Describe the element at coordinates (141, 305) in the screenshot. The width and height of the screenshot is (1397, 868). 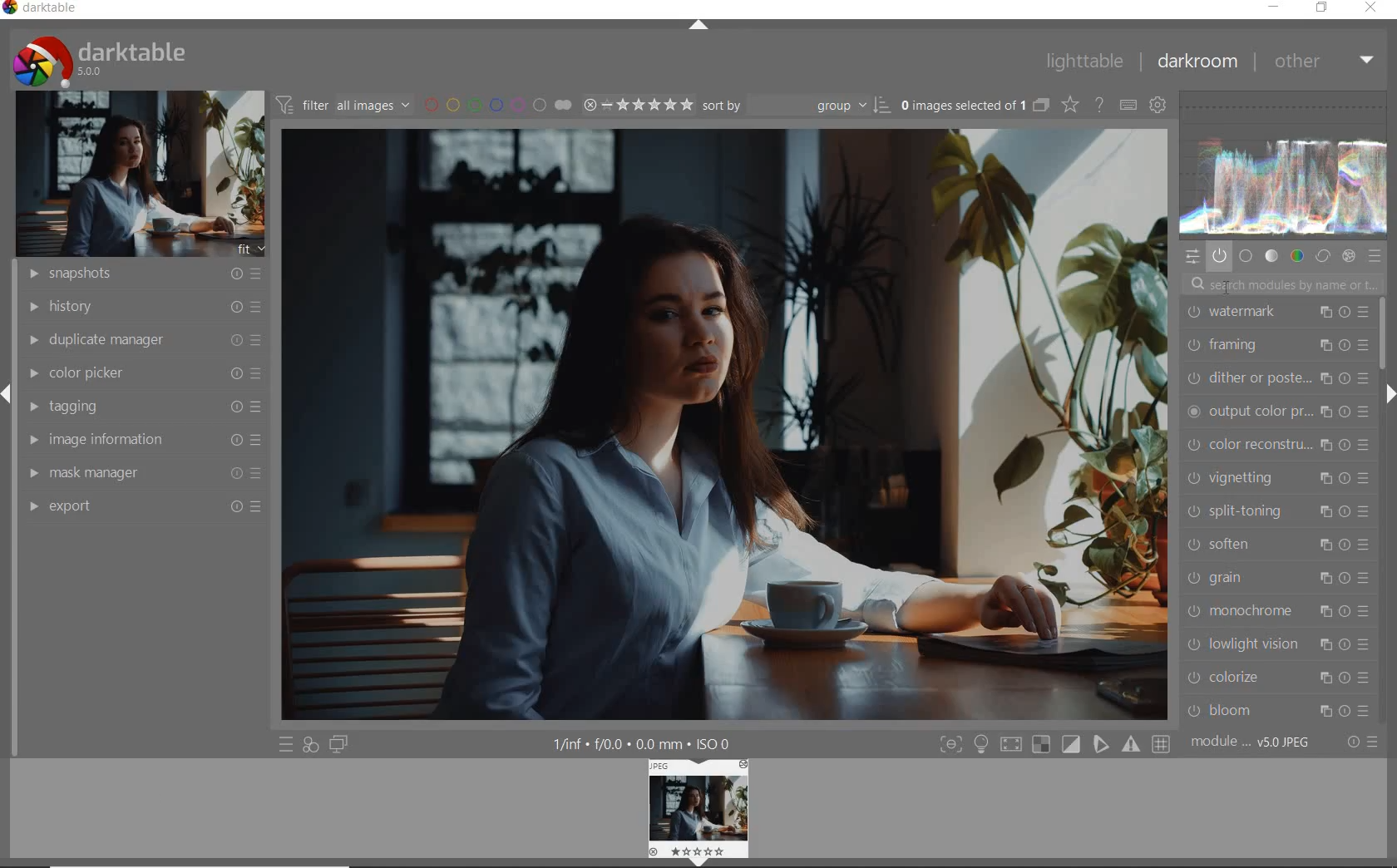
I see `history` at that location.